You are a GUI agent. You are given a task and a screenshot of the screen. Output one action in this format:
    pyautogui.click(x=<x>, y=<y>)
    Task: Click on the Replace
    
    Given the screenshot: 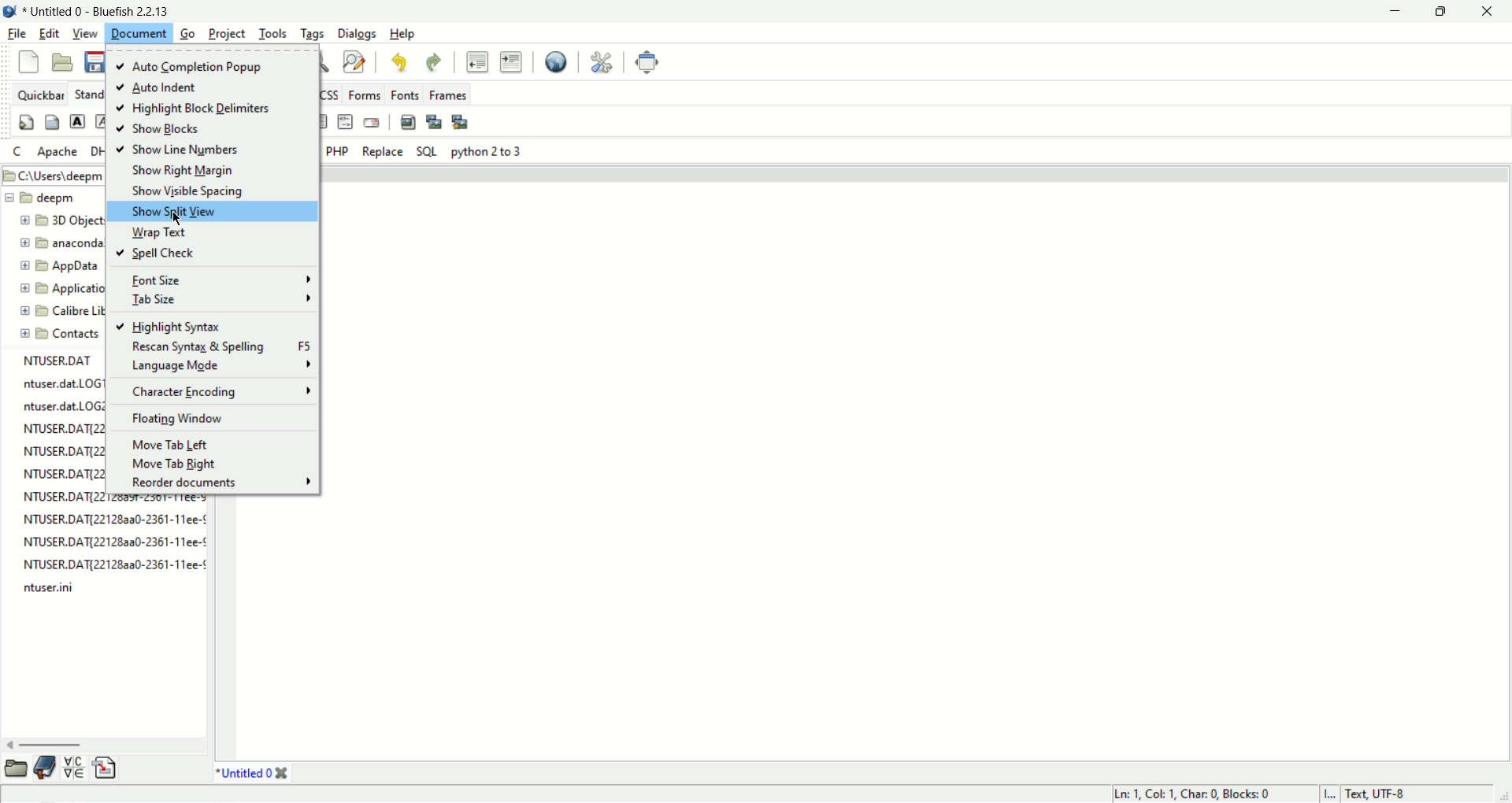 What is the action you would take?
    pyautogui.click(x=382, y=150)
    